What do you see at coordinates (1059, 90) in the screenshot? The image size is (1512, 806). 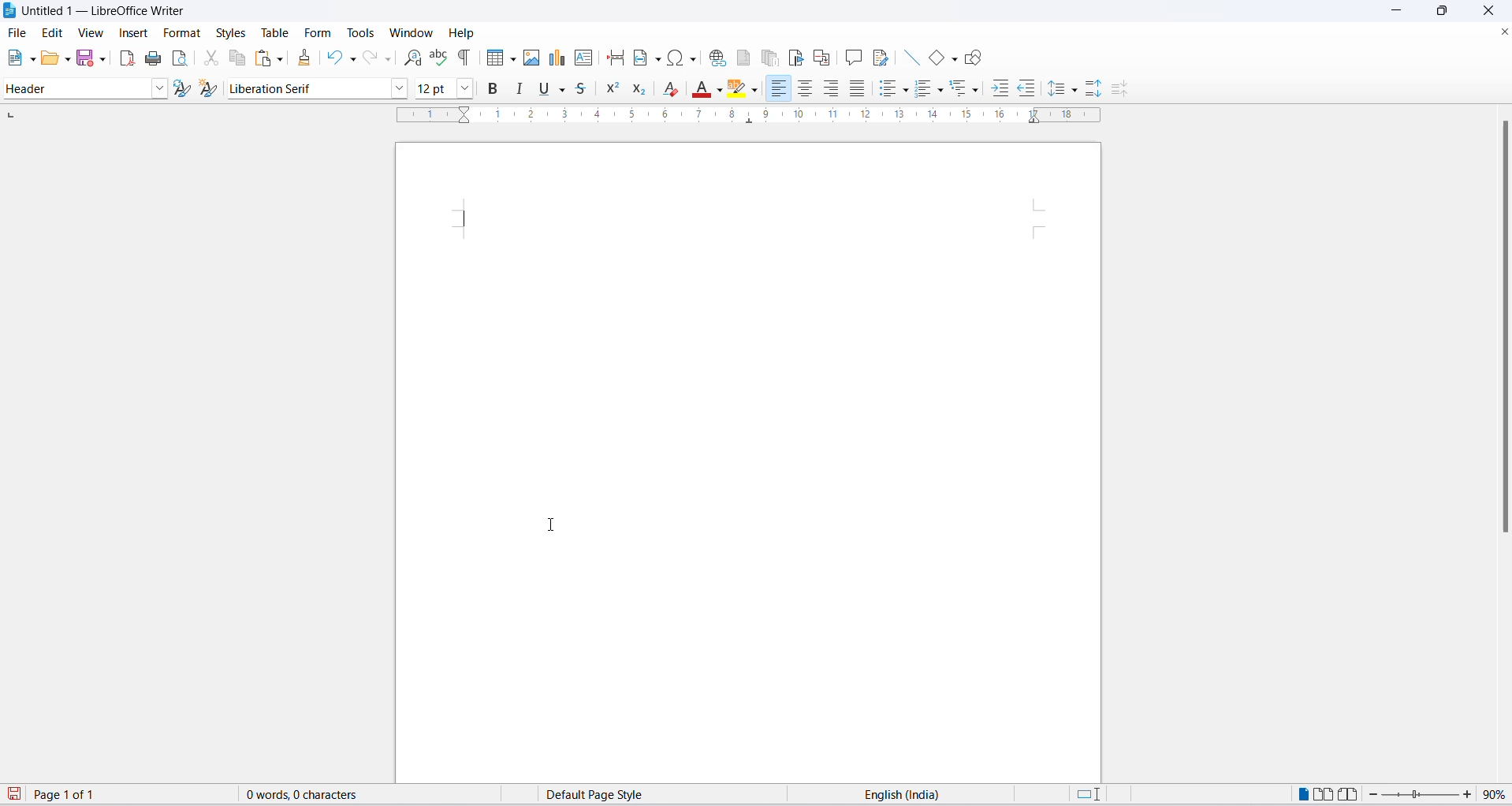 I see `line spacing` at bounding box center [1059, 90].